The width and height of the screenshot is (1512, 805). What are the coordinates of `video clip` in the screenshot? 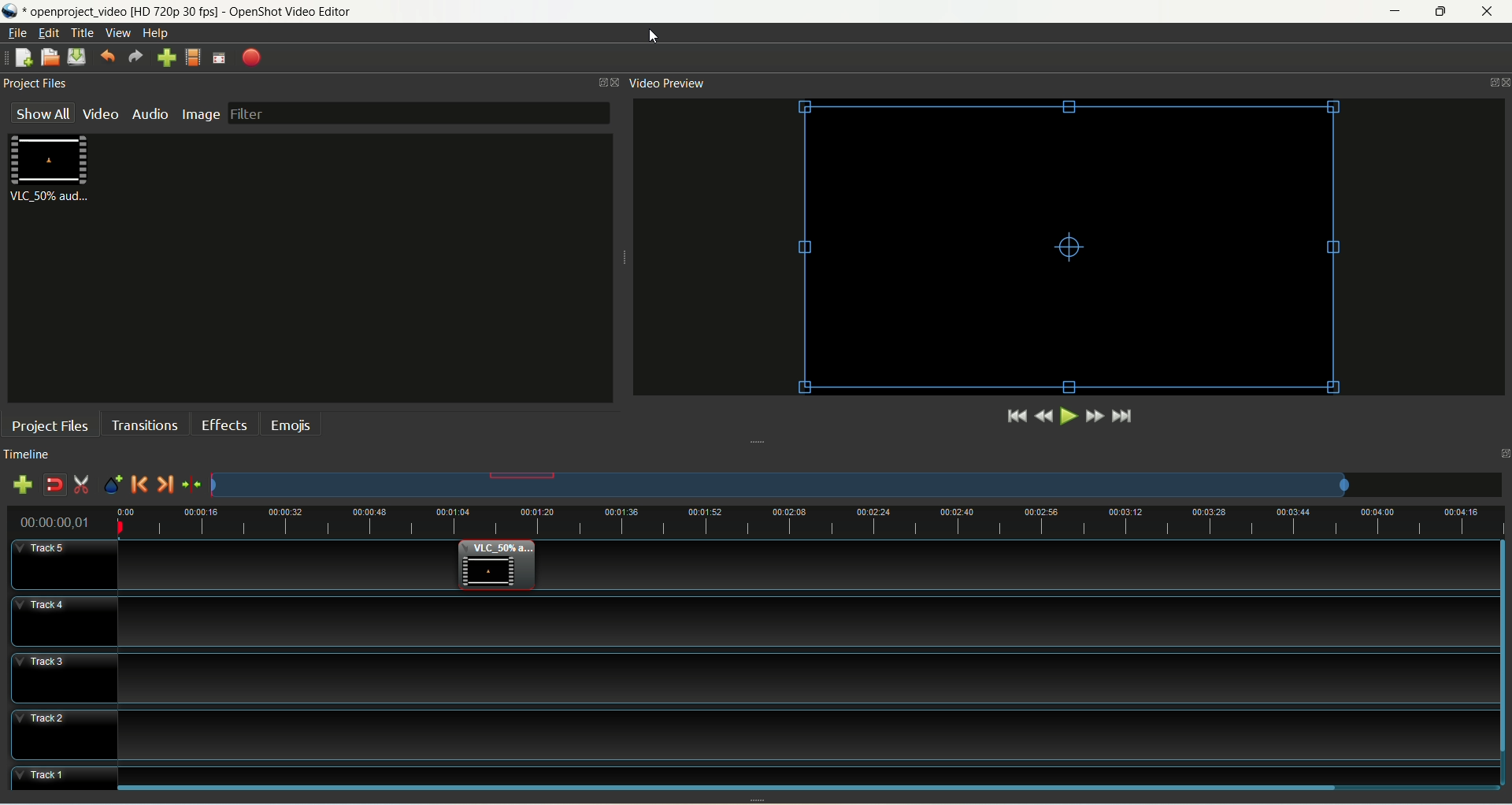 It's located at (1072, 248).